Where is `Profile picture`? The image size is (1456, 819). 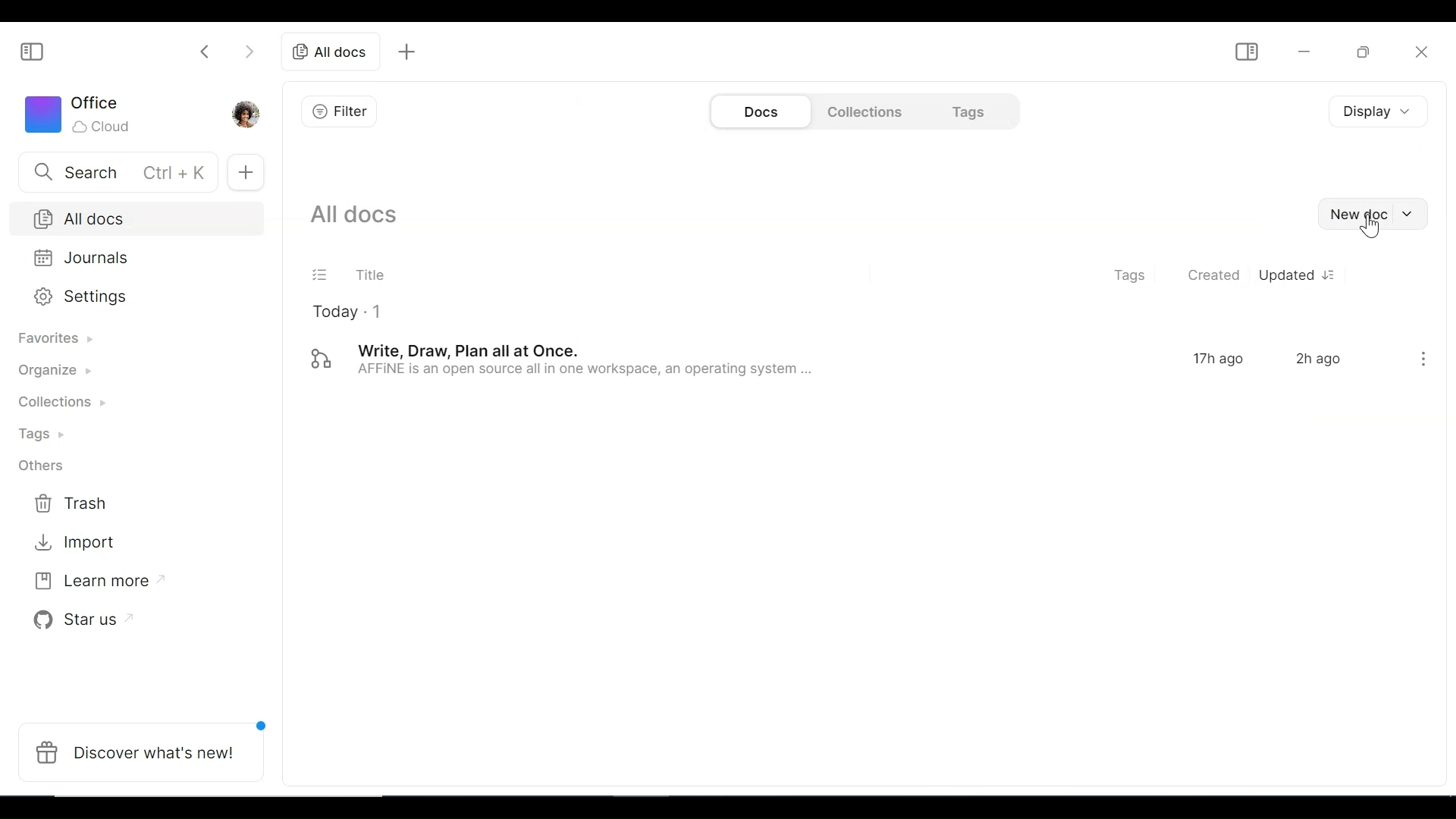
Profile picture is located at coordinates (246, 113).